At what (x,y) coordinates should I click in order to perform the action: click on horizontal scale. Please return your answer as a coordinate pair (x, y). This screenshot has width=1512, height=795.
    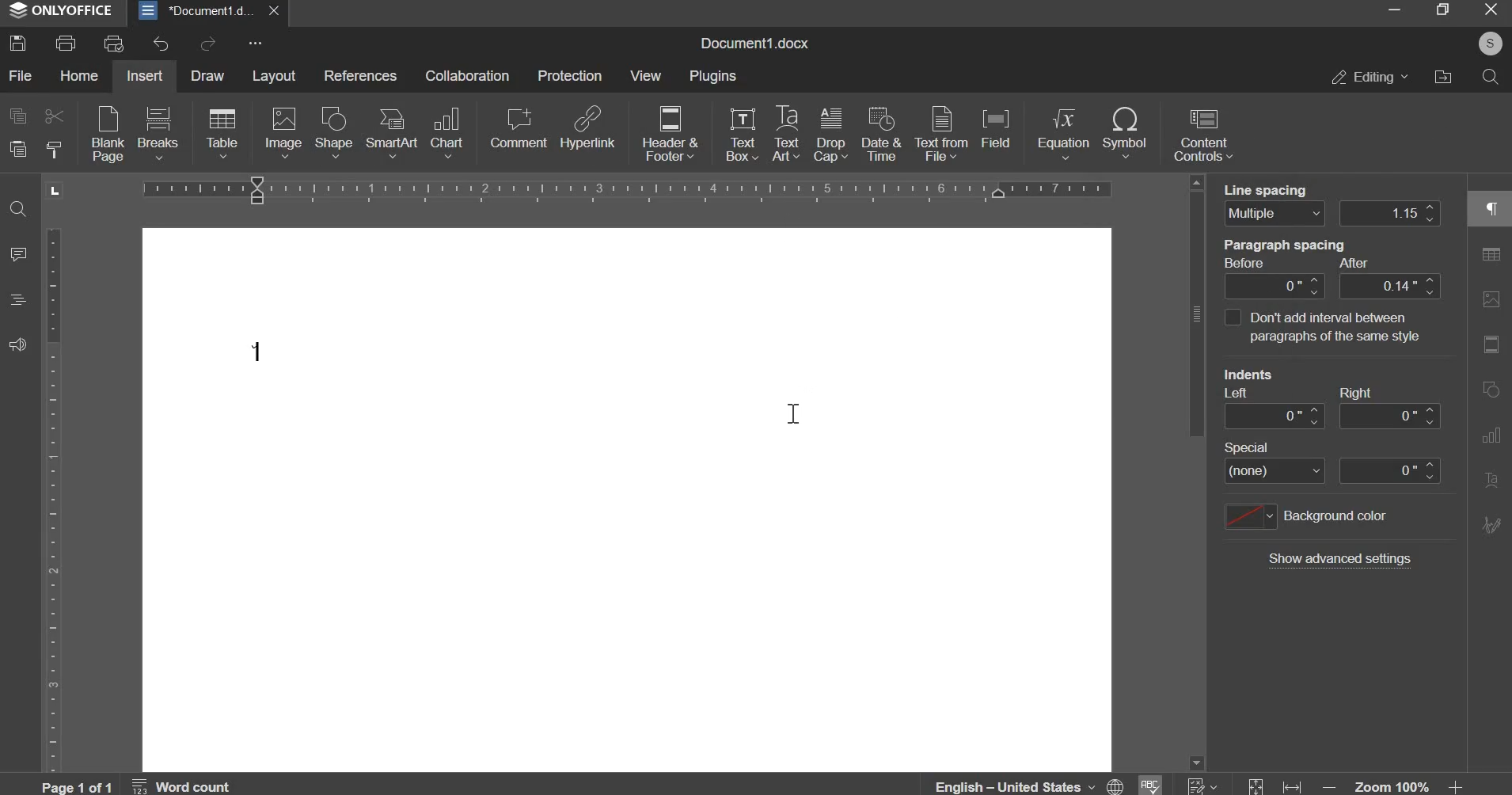
    Looking at the image, I should click on (629, 188).